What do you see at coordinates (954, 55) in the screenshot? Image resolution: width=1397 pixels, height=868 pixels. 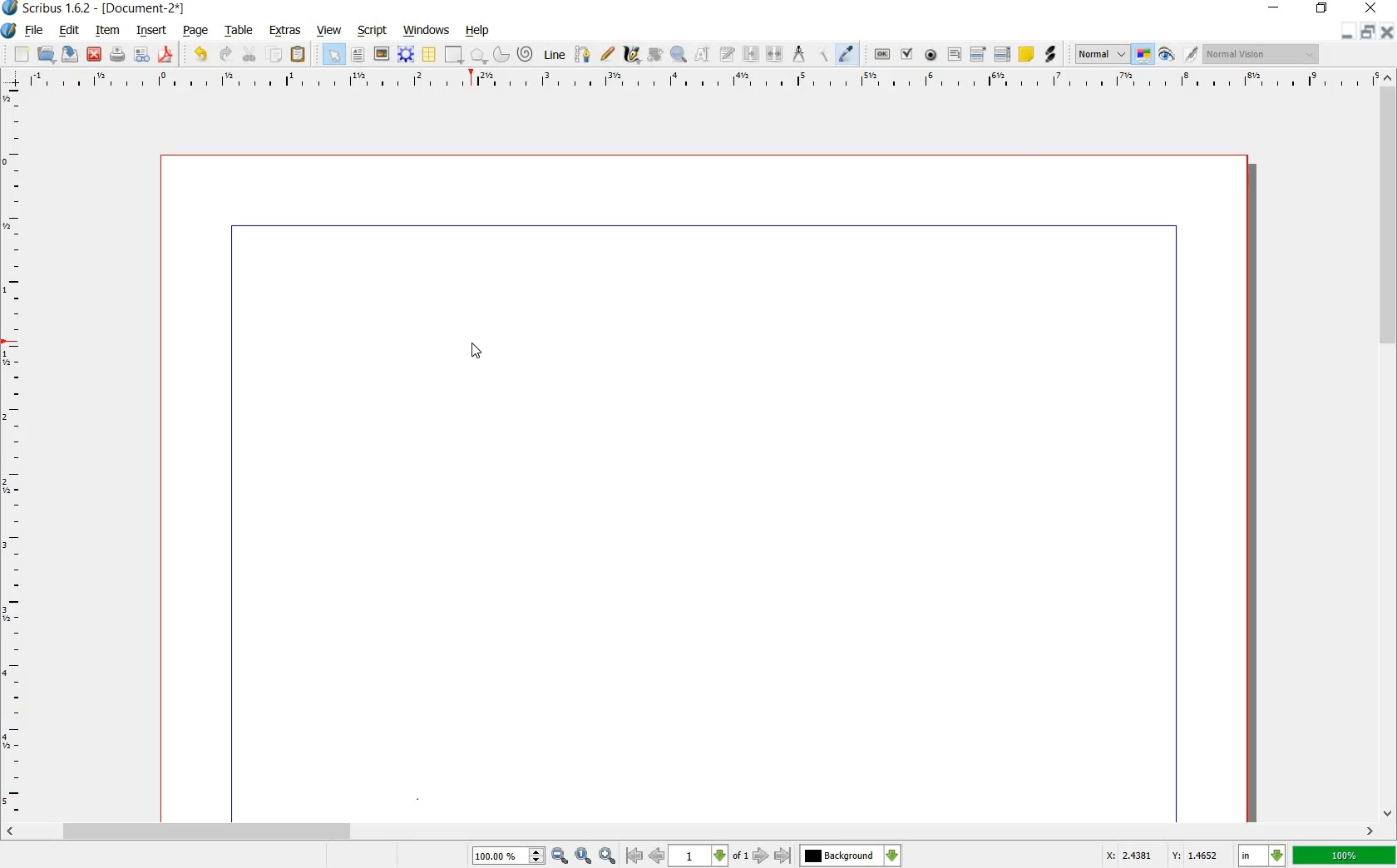 I see `PDF TEXT FIELD` at bounding box center [954, 55].